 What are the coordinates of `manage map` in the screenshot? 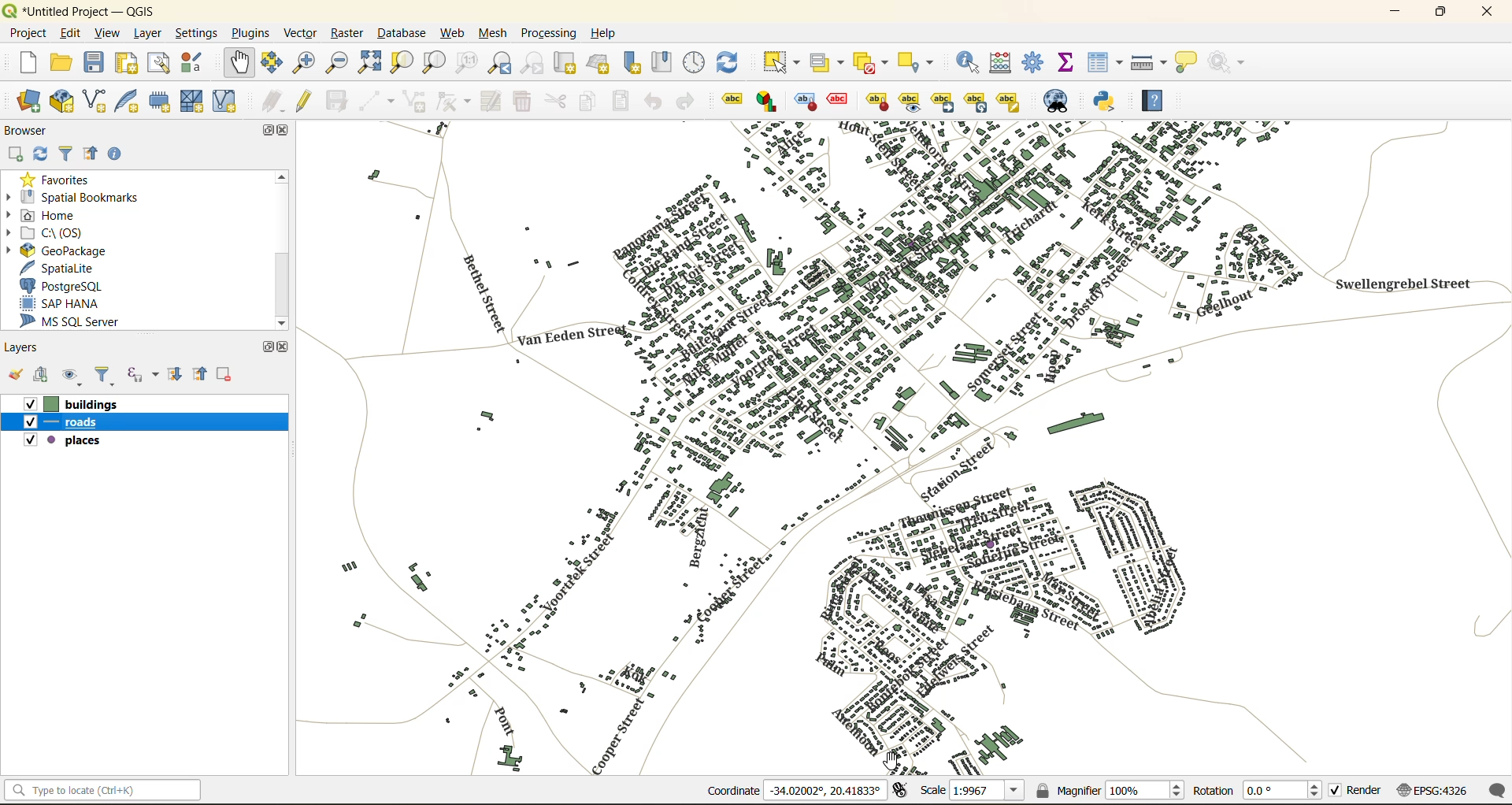 It's located at (74, 376).